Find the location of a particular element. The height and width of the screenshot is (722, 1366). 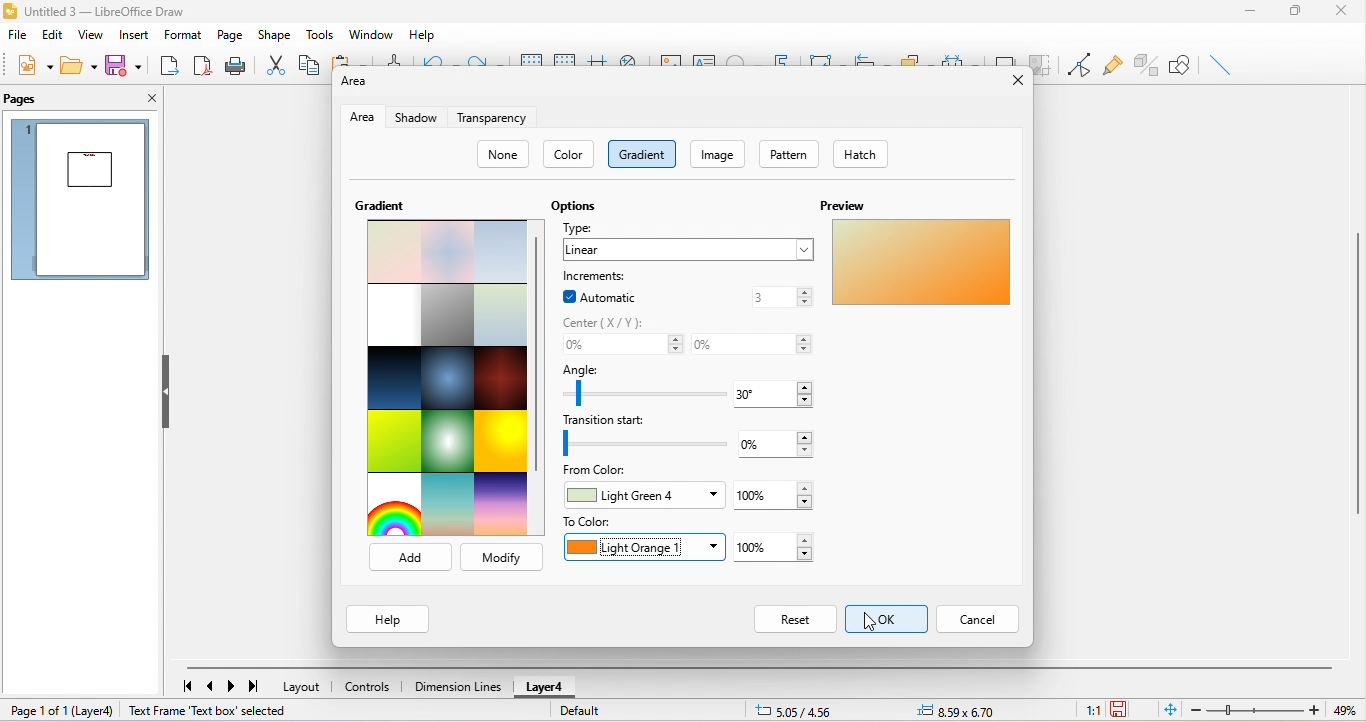

angle 30 degree  is located at coordinates (782, 393).